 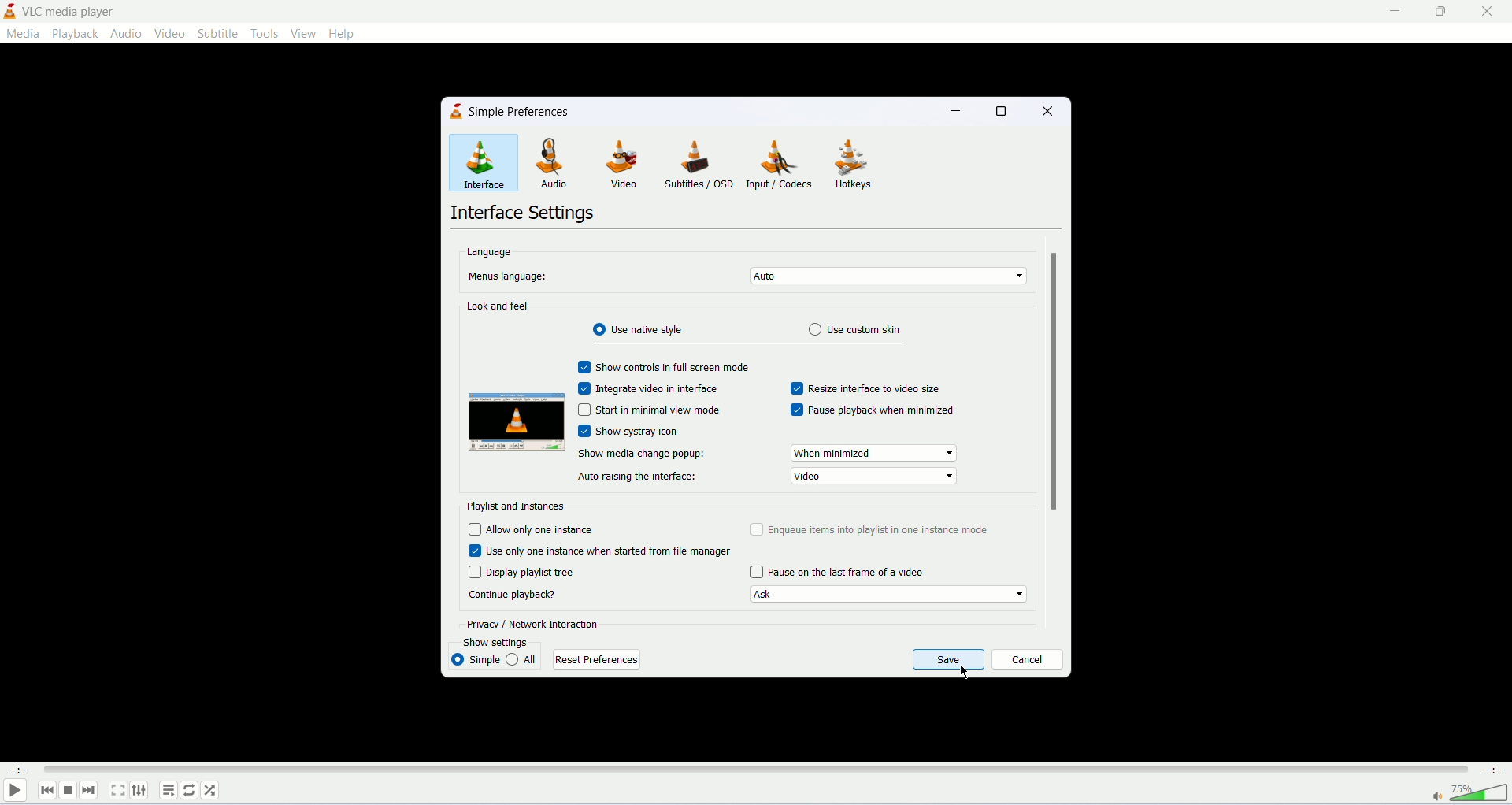 What do you see at coordinates (126, 34) in the screenshot?
I see `audio` at bounding box center [126, 34].